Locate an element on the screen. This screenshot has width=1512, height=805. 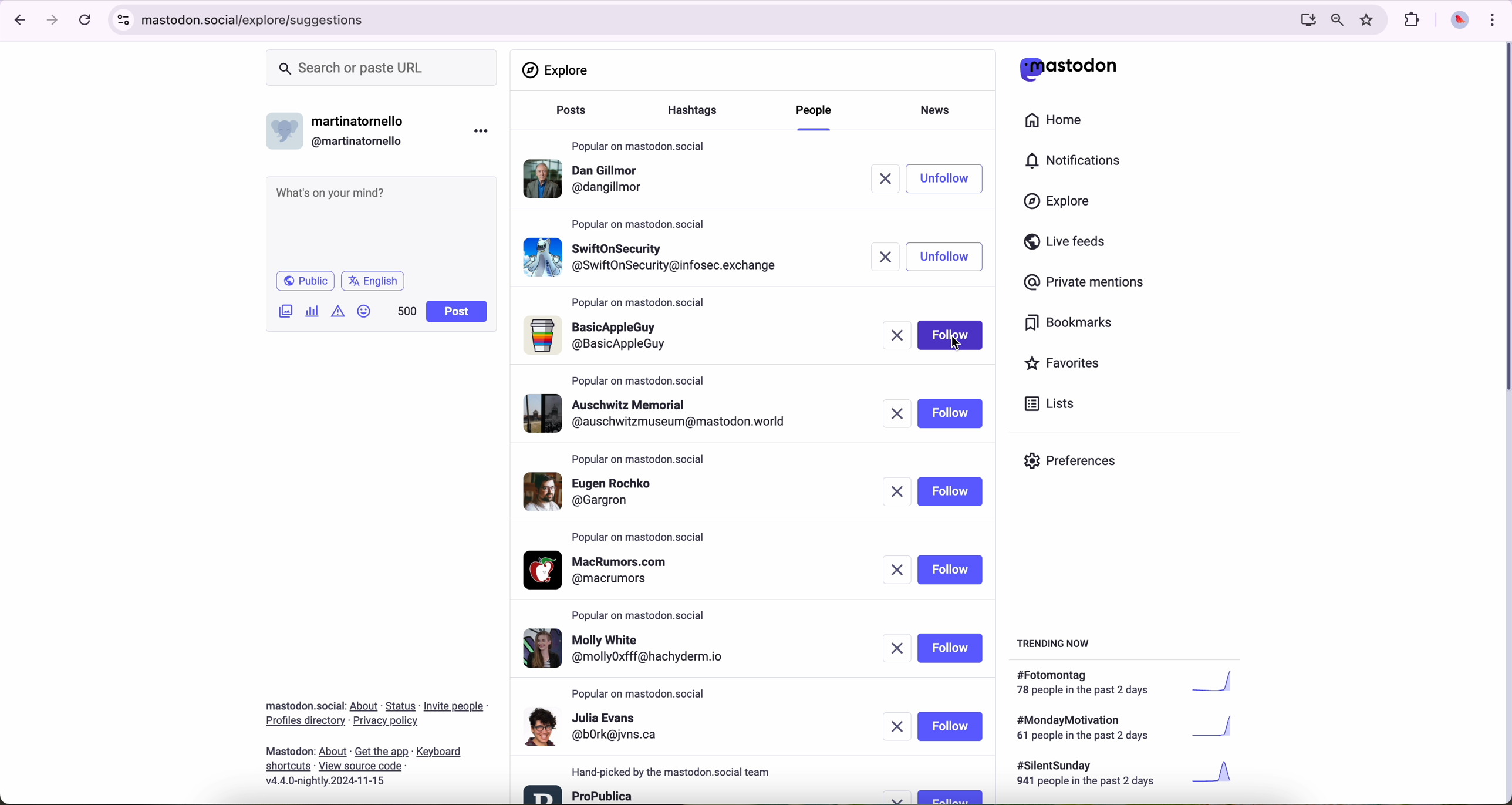
about is located at coordinates (376, 739).